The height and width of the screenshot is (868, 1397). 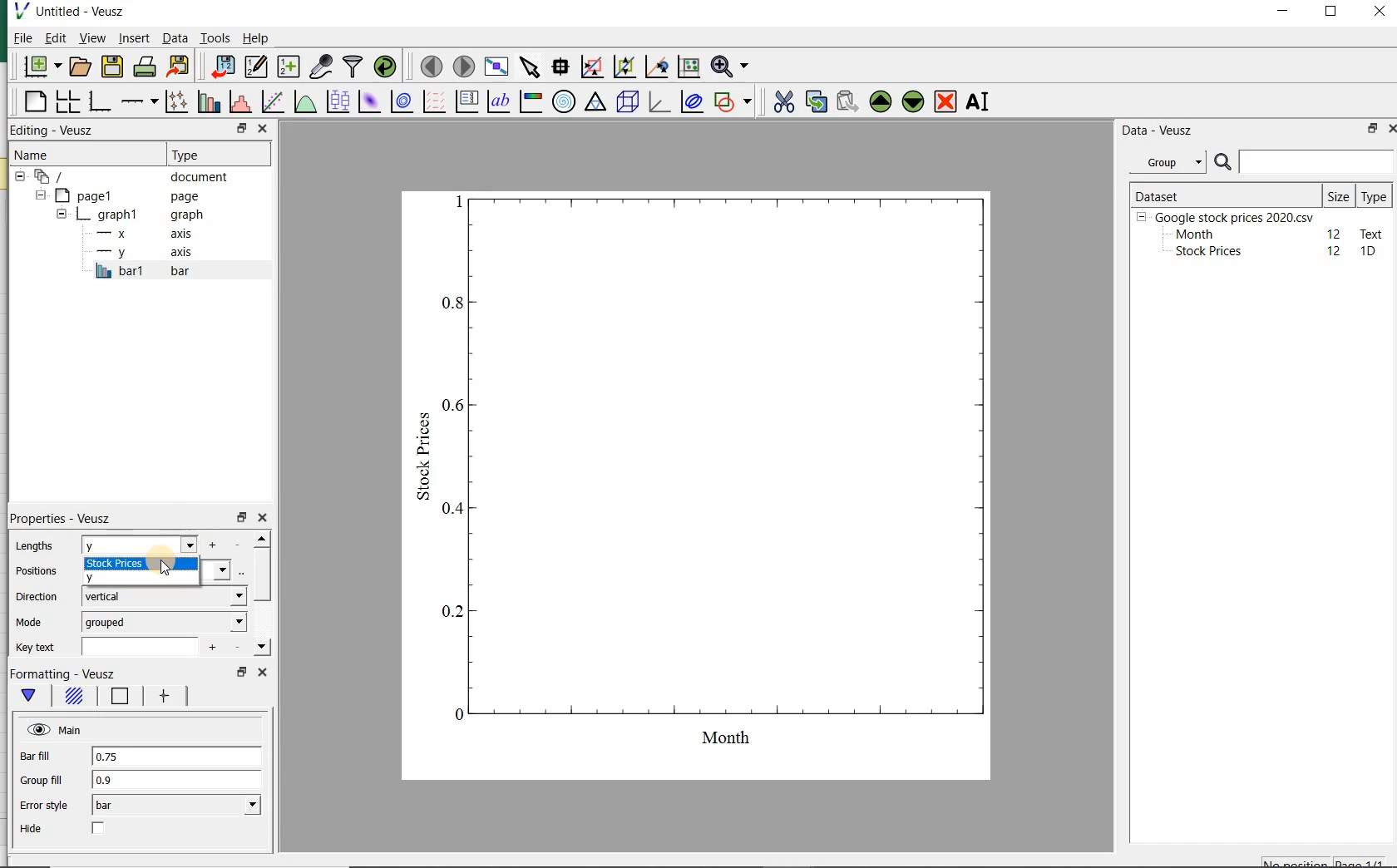 What do you see at coordinates (31, 828) in the screenshot?
I see `Hide` at bounding box center [31, 828].